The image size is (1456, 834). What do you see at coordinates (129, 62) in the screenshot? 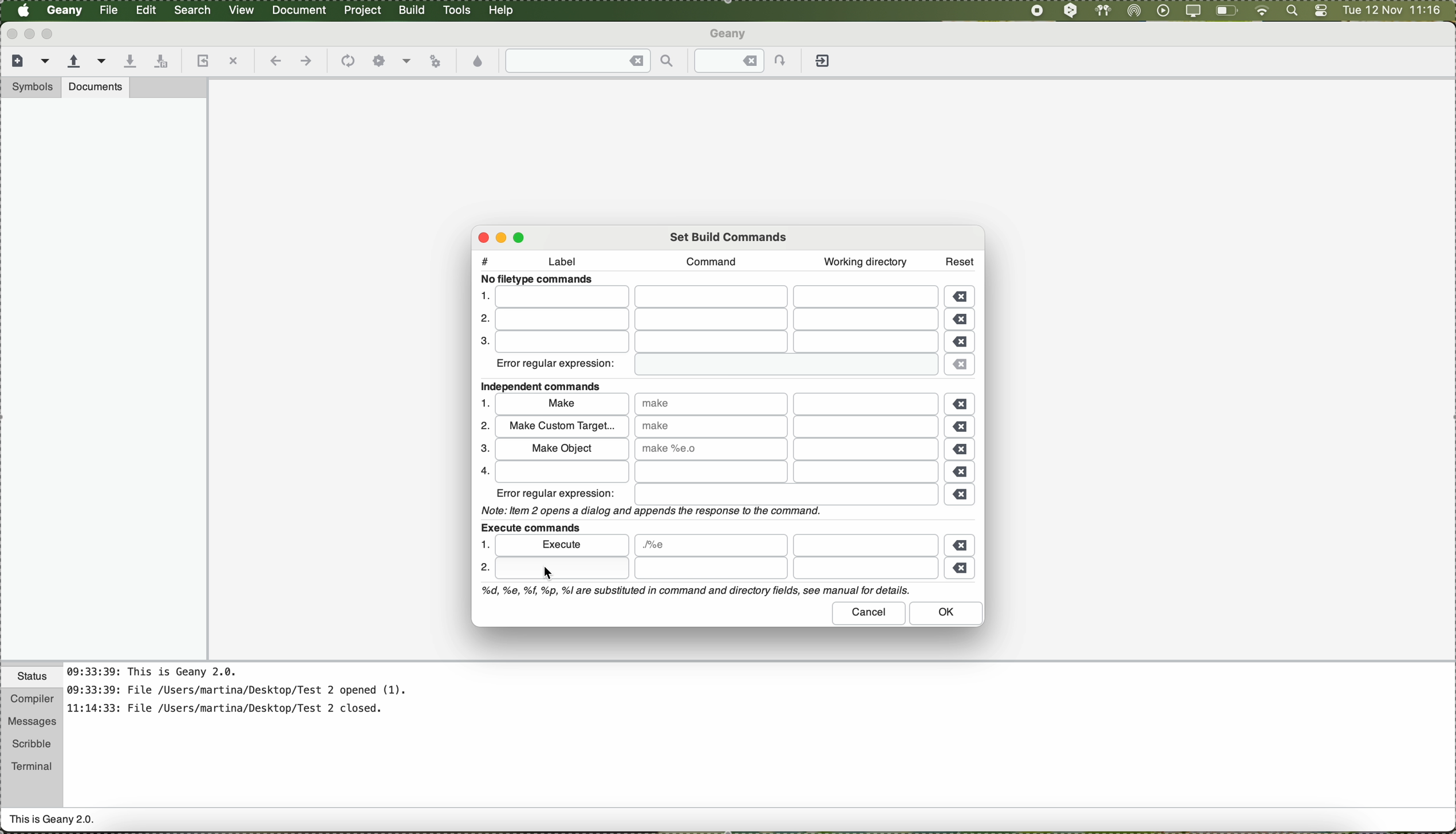
I see `save the current file` at bounding box center [129, 62].